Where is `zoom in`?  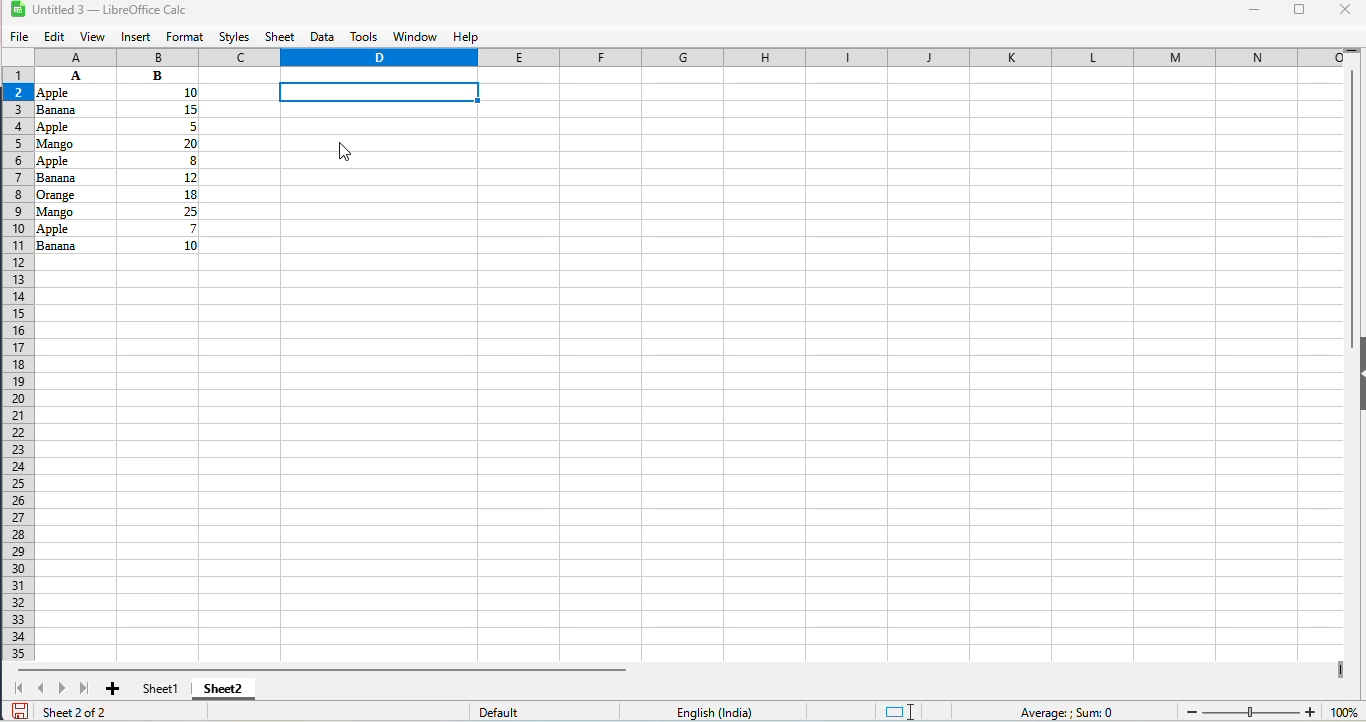 zoom in is located at coordinates (1311, 713).